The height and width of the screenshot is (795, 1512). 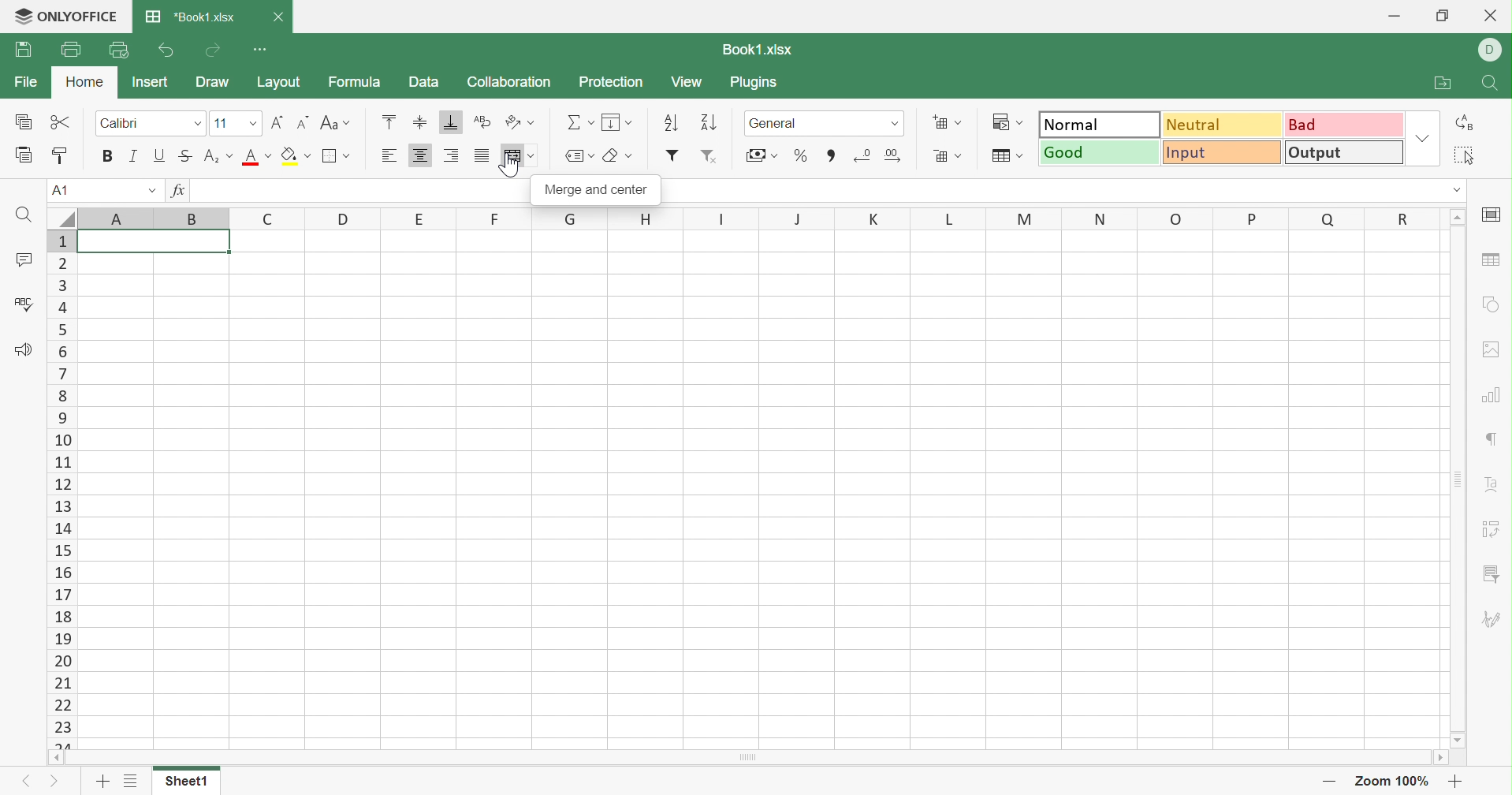 What do you see at coordinates (483, 157) in the screenshot?
I see `Justified` at bounding box center [483, 157].